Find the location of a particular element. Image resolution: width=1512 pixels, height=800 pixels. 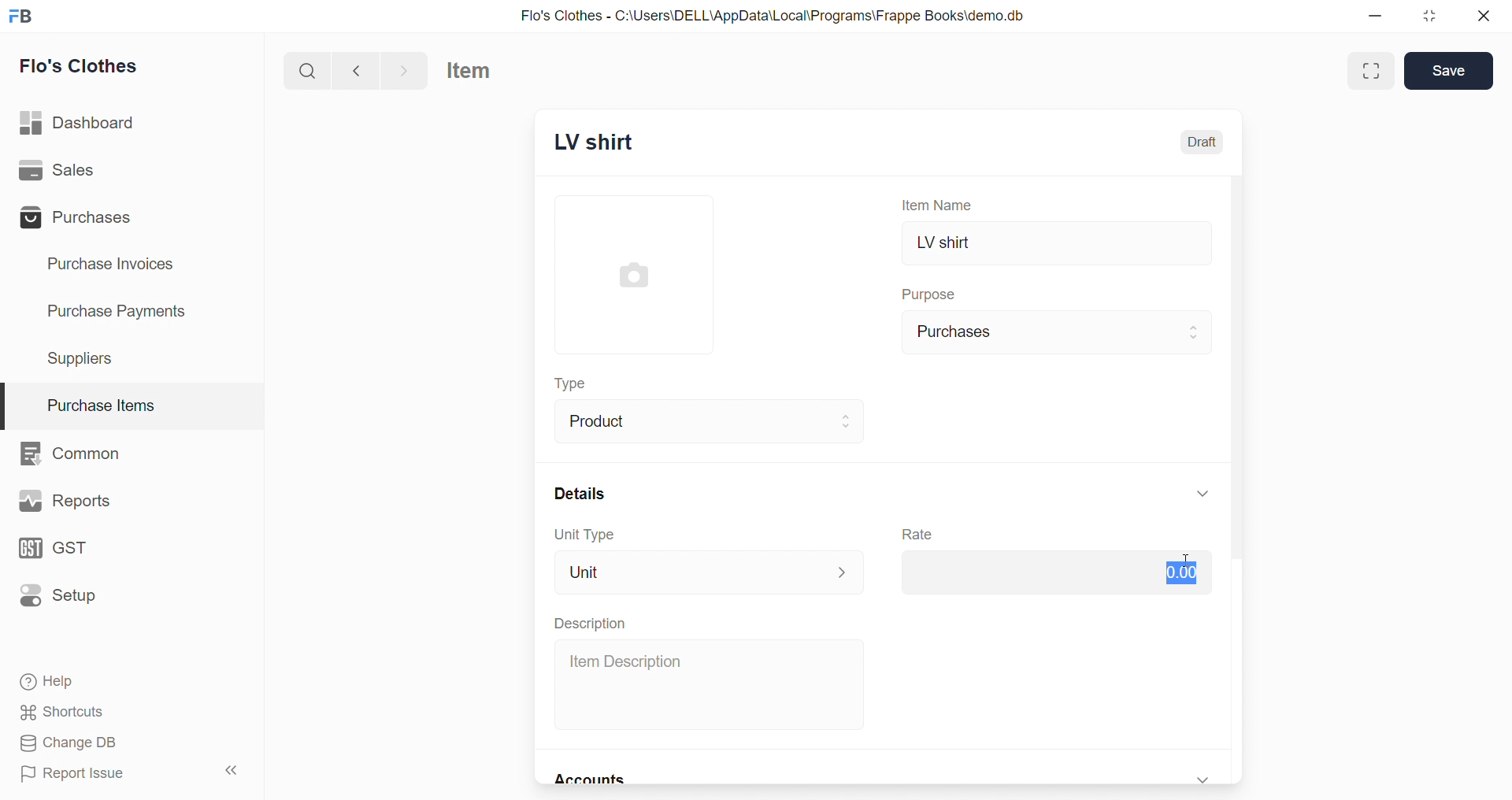

Purchase Items is located at coordinates (132, 401).